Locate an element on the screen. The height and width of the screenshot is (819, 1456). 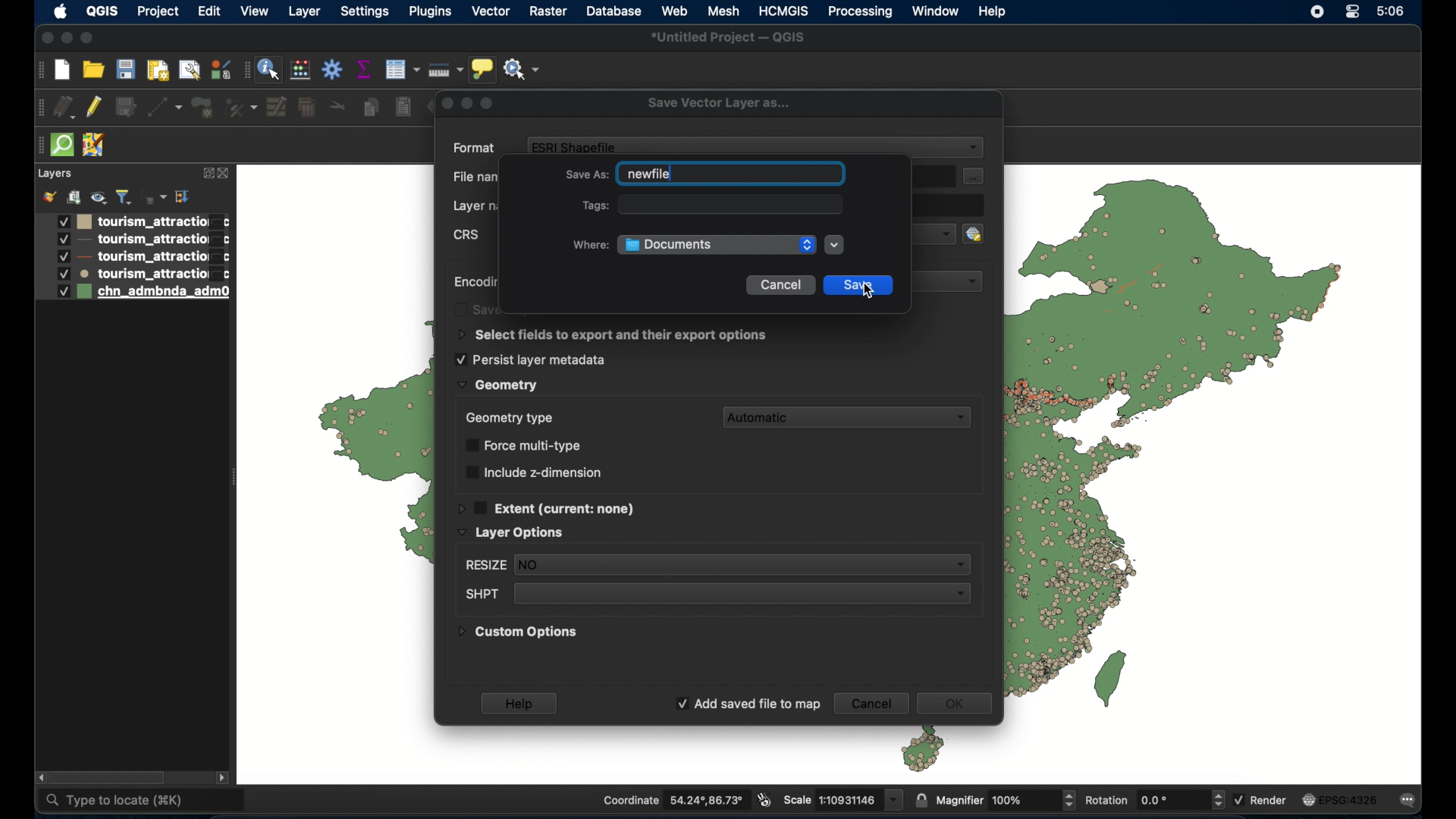
drag handle is located at coordinates (38, 108).